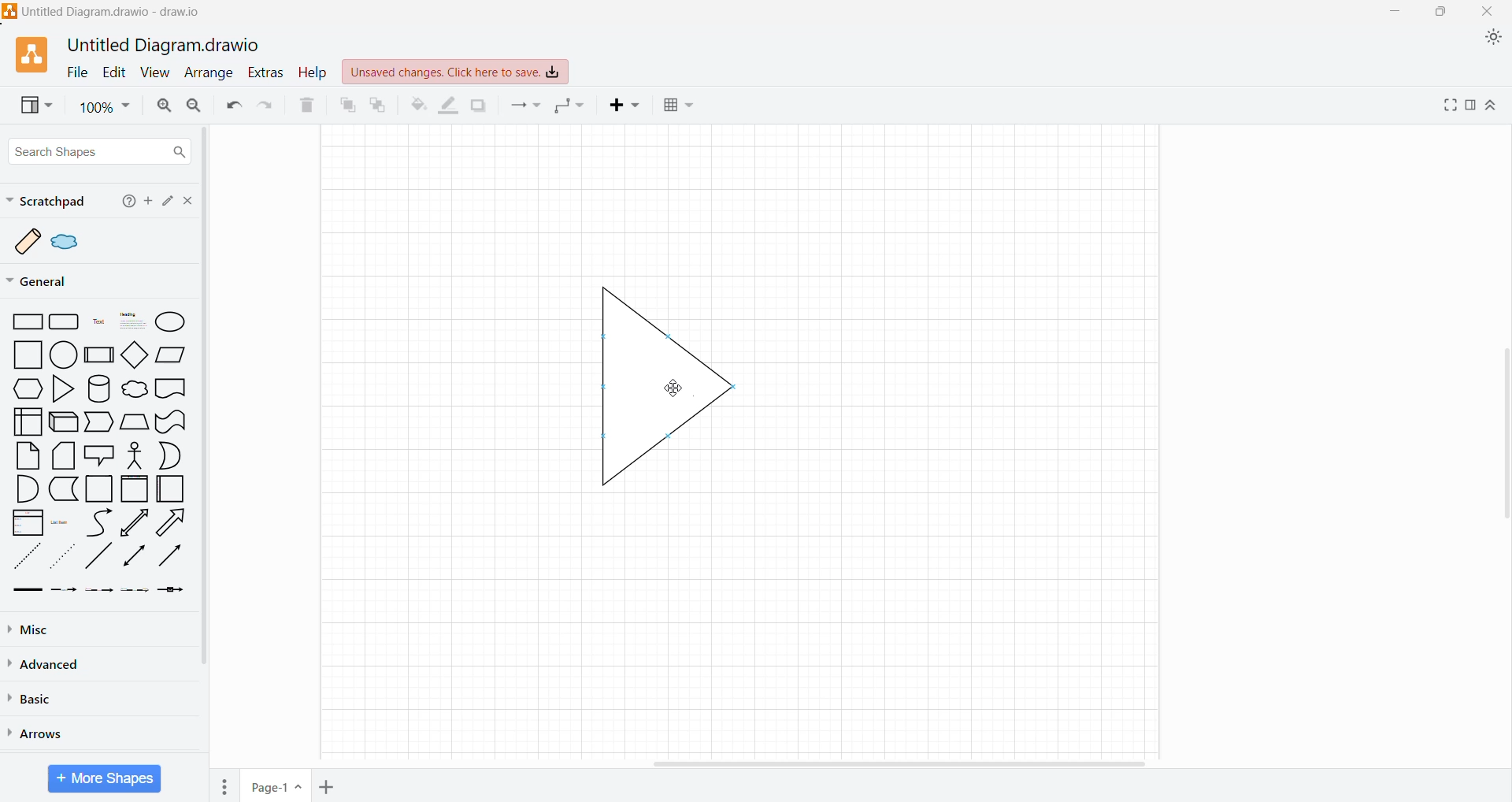 The image size is (1512, 802). Describe the element at coordinates (571, 104) in the screenshot. I see `Waypoints` at that location.